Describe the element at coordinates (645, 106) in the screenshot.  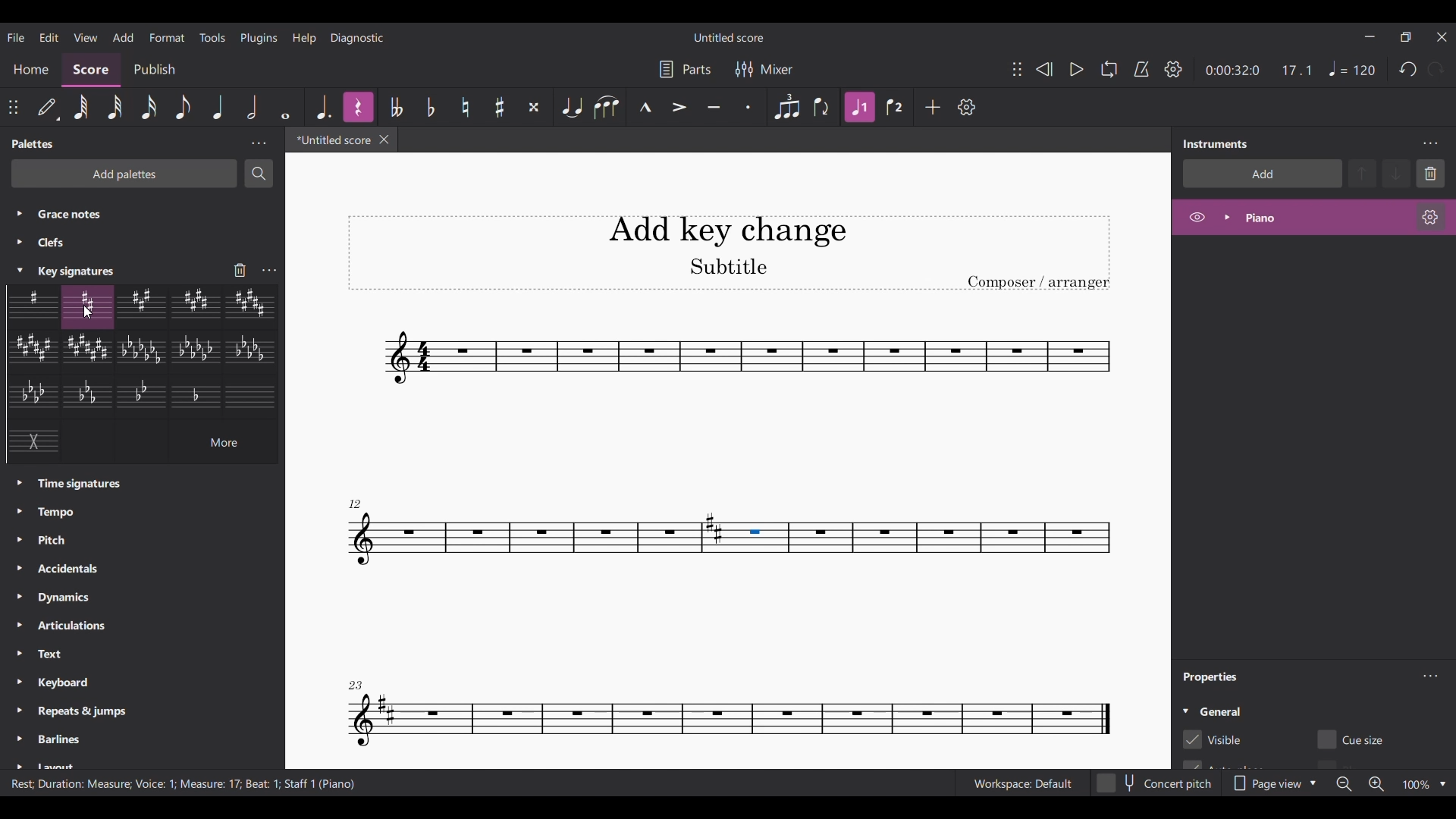
I see `Marcato` at that location.